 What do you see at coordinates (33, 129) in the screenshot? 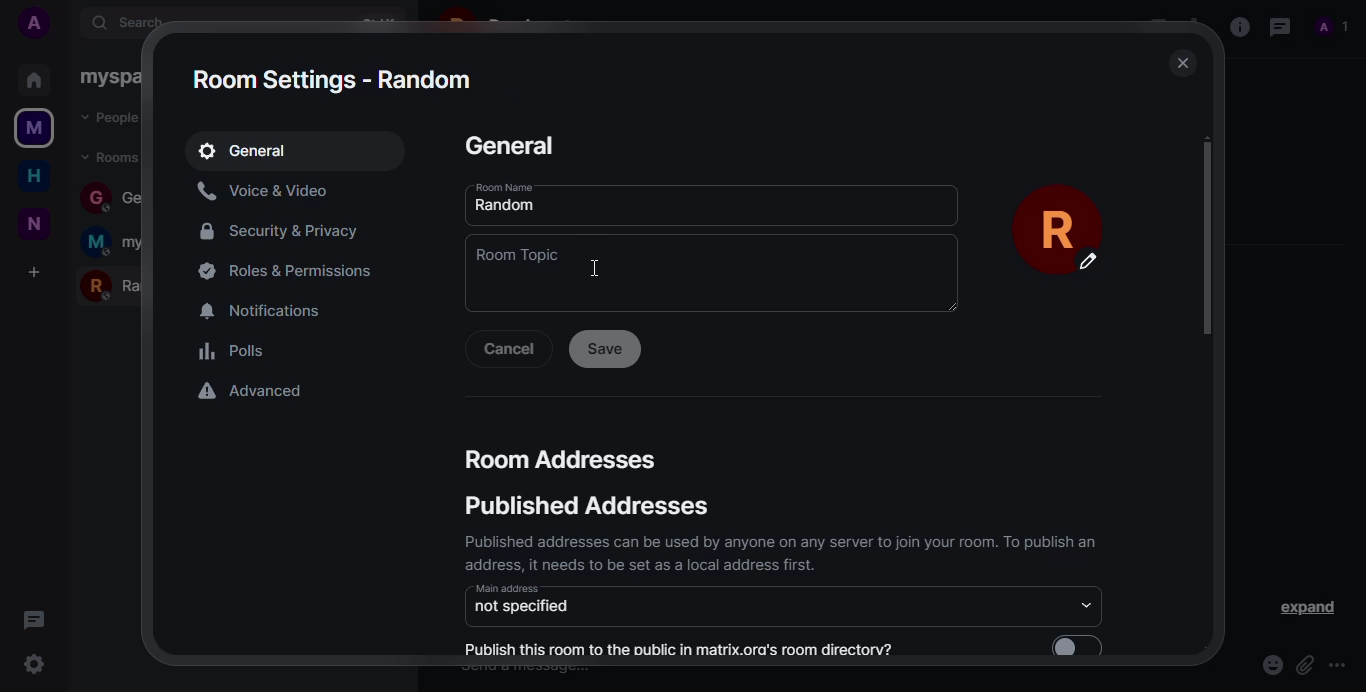
I see `myspace` at bounding box center [33, 129].